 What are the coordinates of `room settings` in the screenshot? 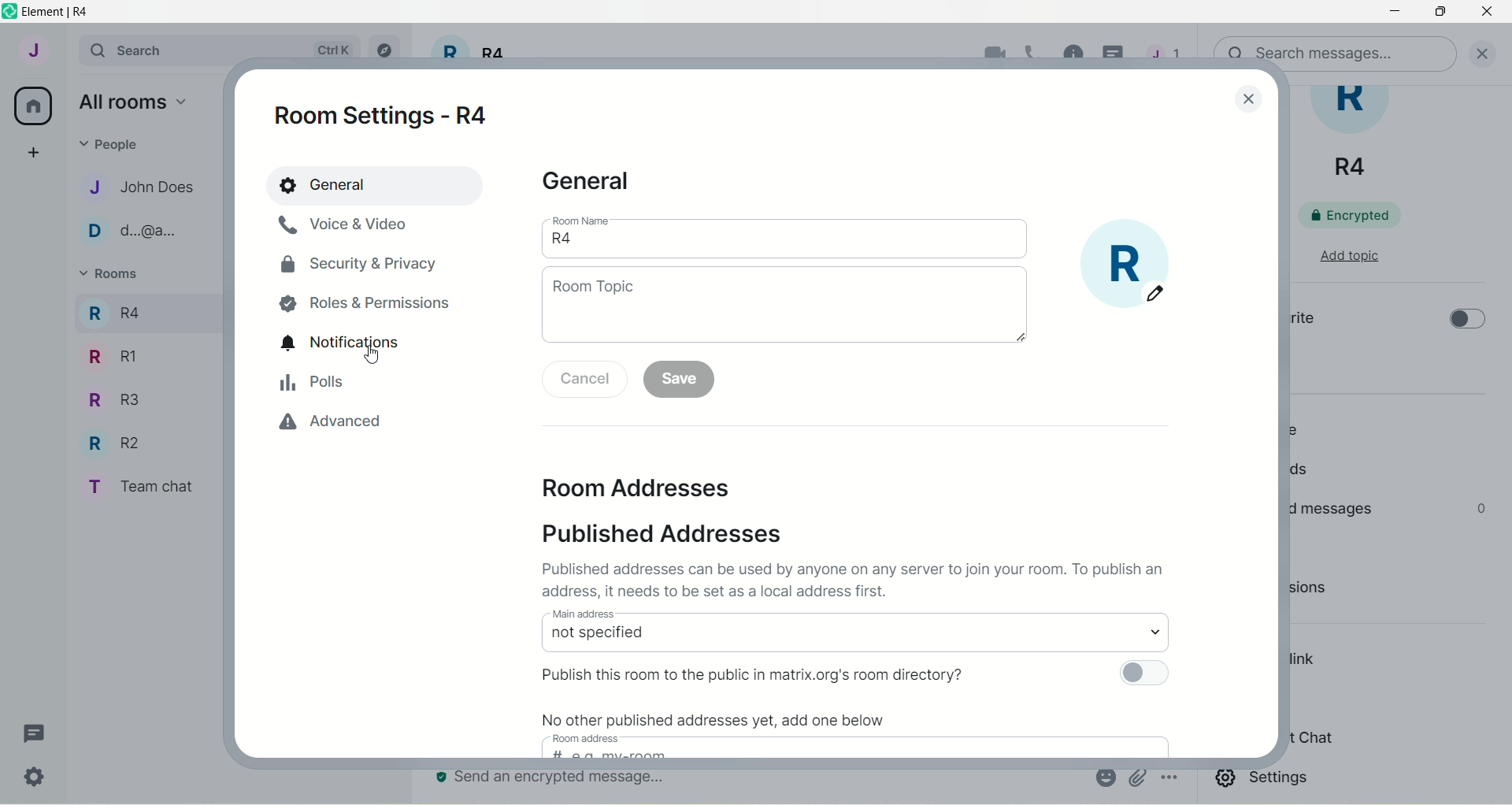 It's located at (384, 115).